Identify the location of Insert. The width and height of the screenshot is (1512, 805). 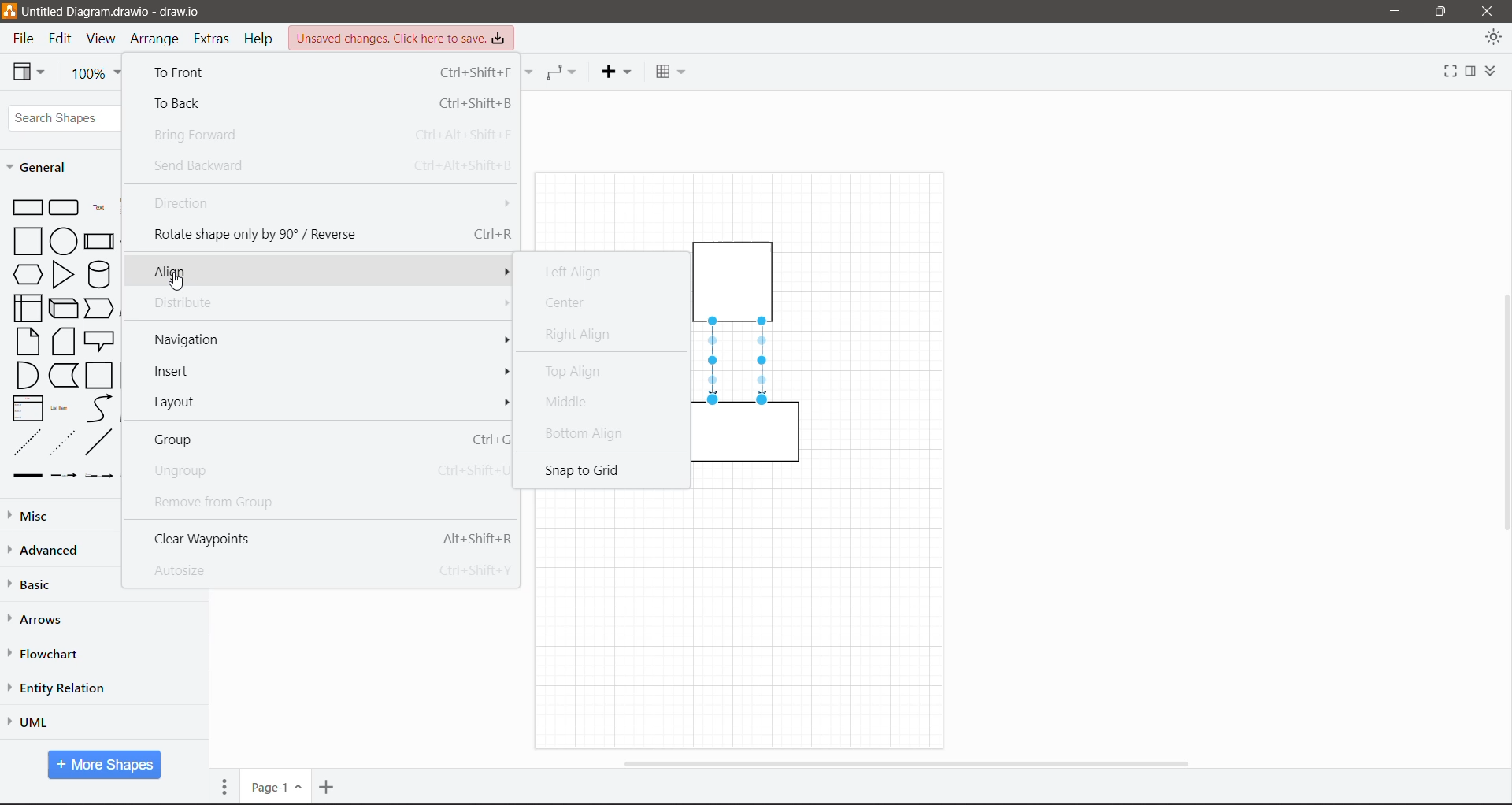
(329, 372).